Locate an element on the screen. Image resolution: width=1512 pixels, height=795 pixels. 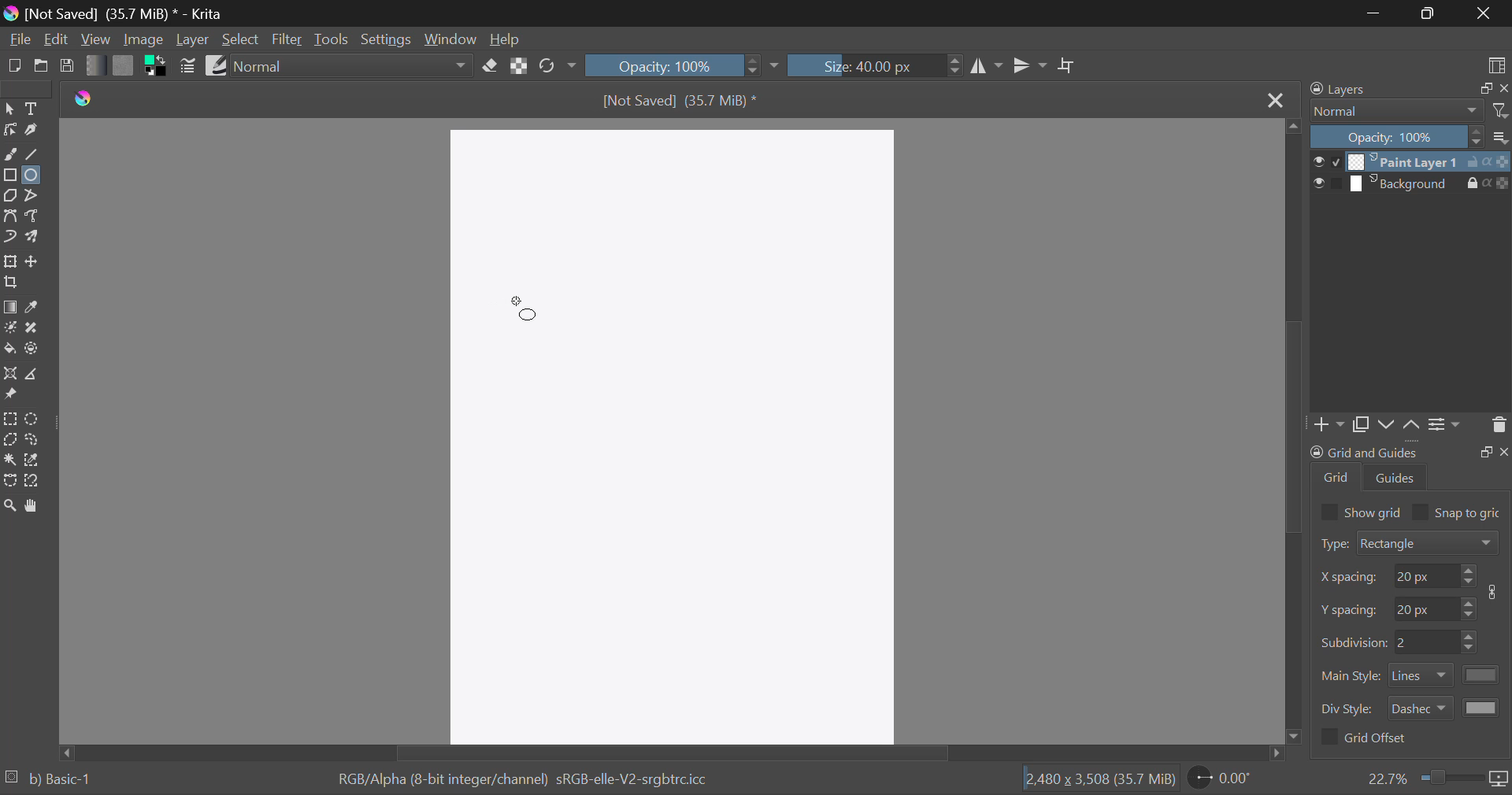
Lock Alpha is located at coordinates (520, 68).